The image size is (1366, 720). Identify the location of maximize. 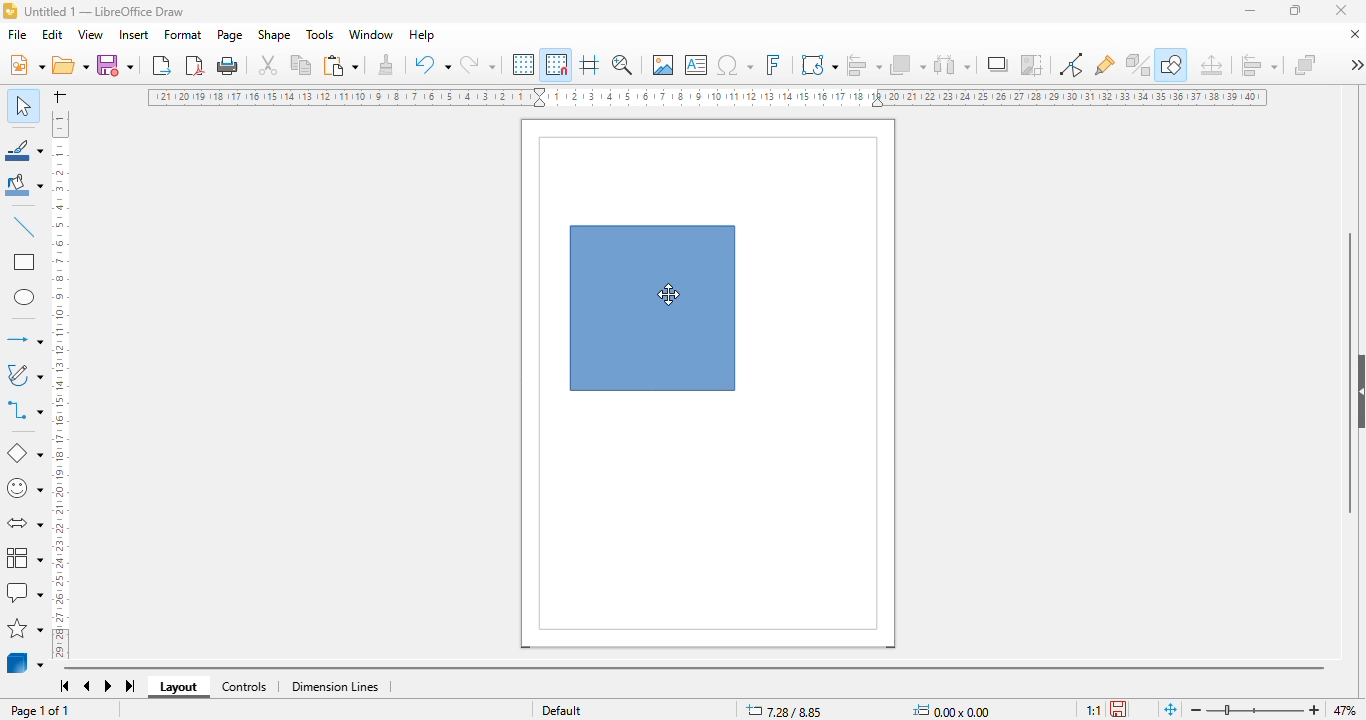
(1295, 10).